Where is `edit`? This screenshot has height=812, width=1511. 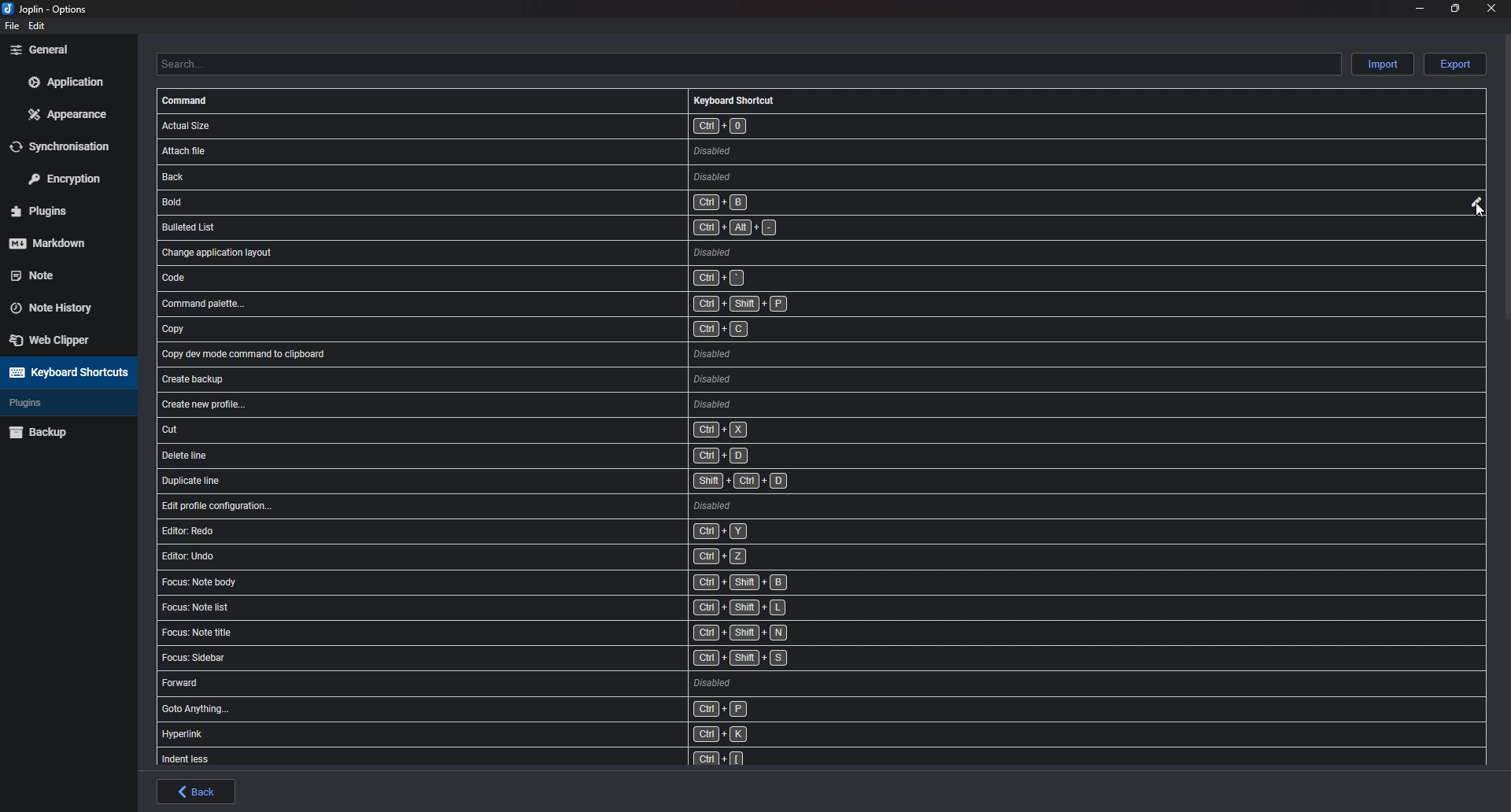 edit is located at coordinates (38, 26).